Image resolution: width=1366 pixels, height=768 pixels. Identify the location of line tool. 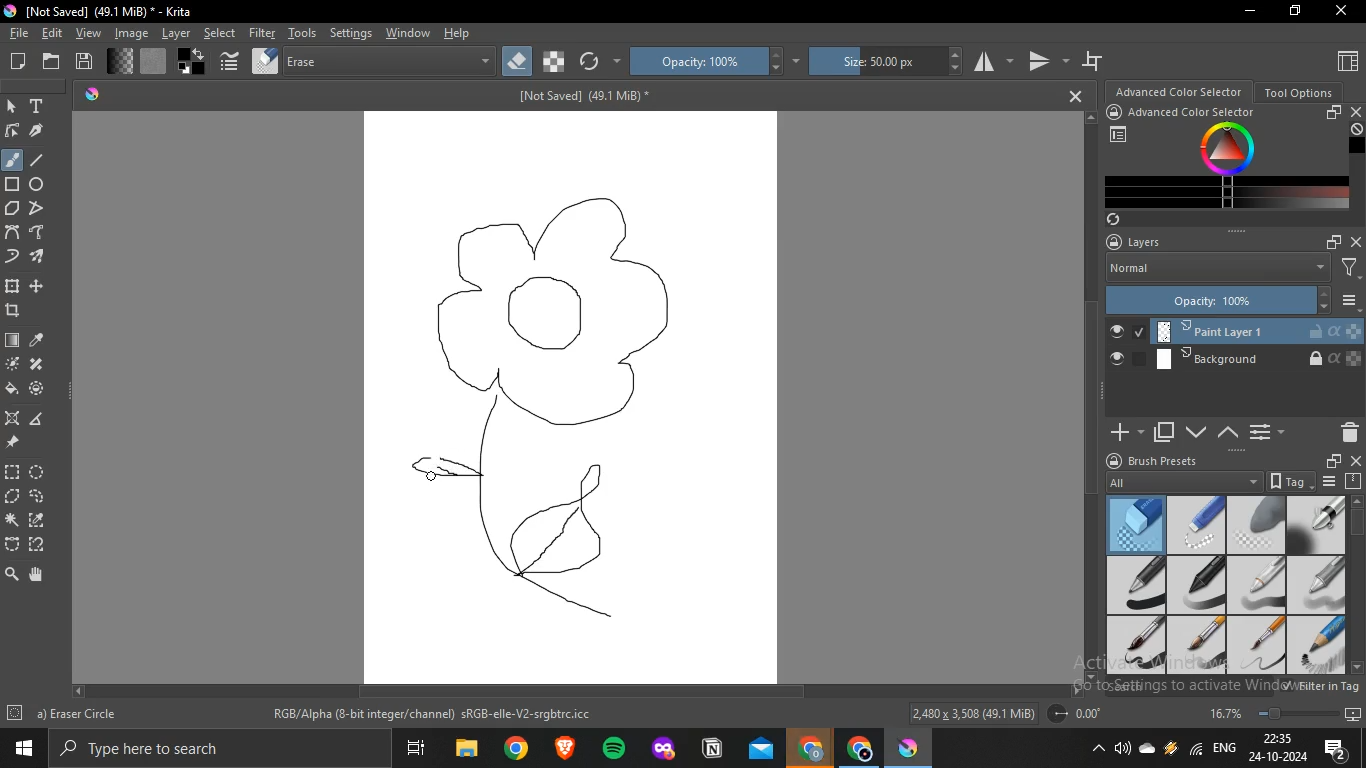
(43, 160).